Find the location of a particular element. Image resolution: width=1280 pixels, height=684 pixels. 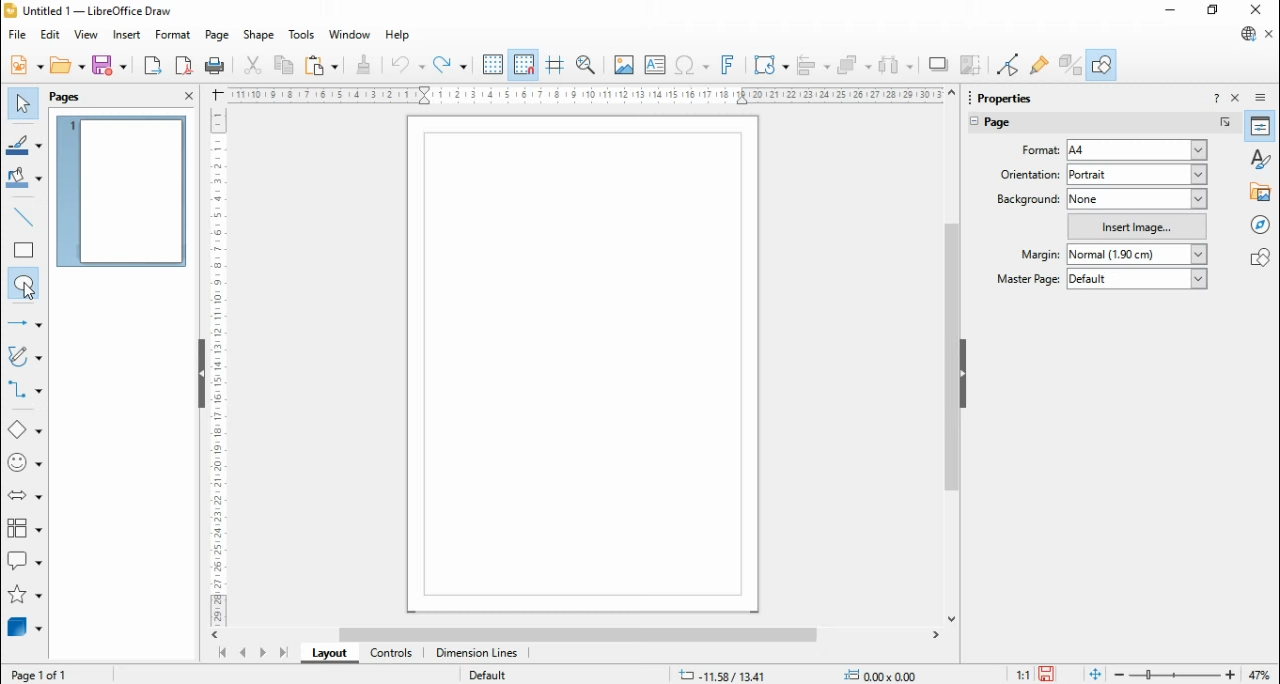

Default  is located at coordinates (1137, 279).